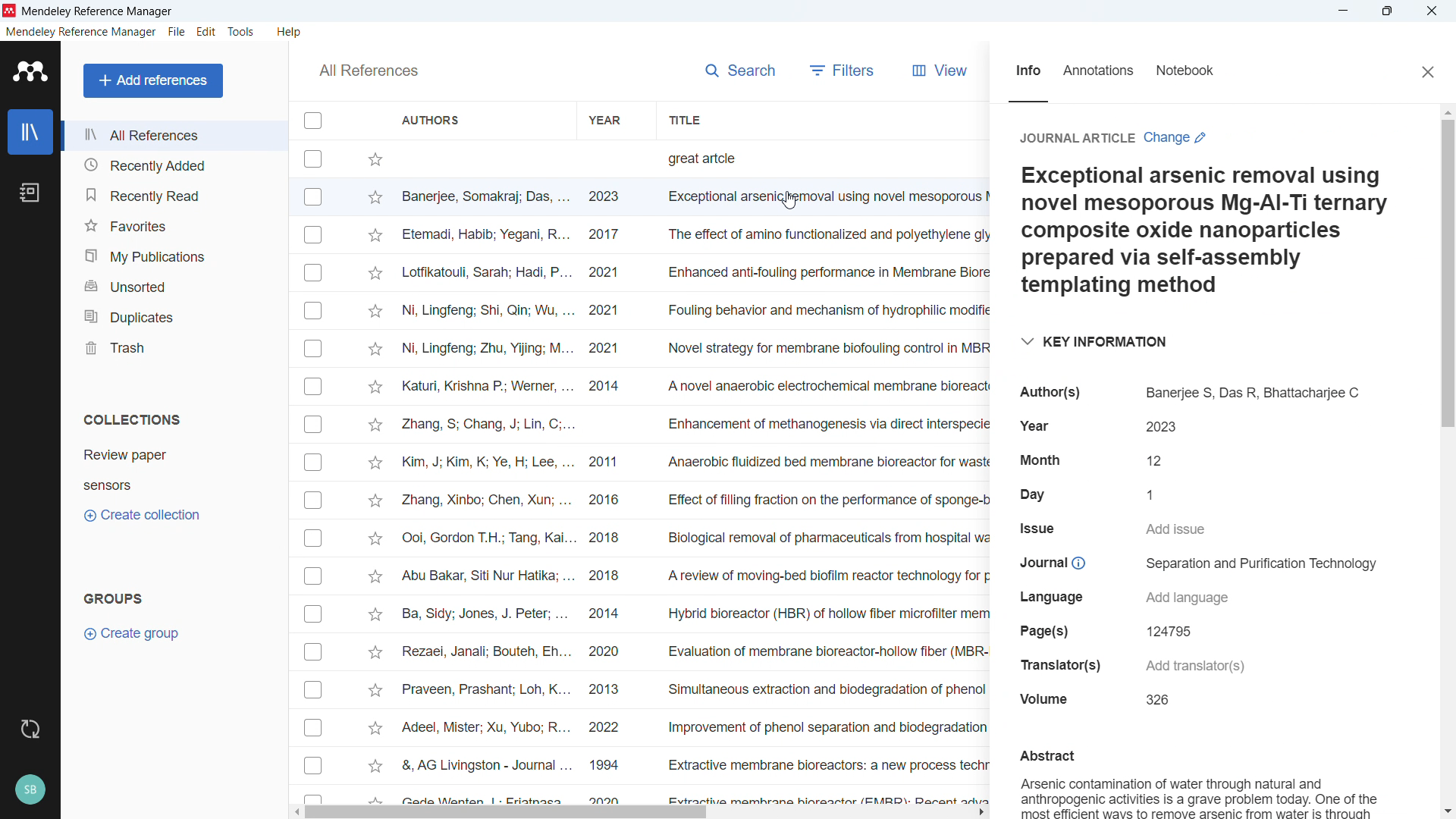  I want to click on Create collection , so click(141, 515).